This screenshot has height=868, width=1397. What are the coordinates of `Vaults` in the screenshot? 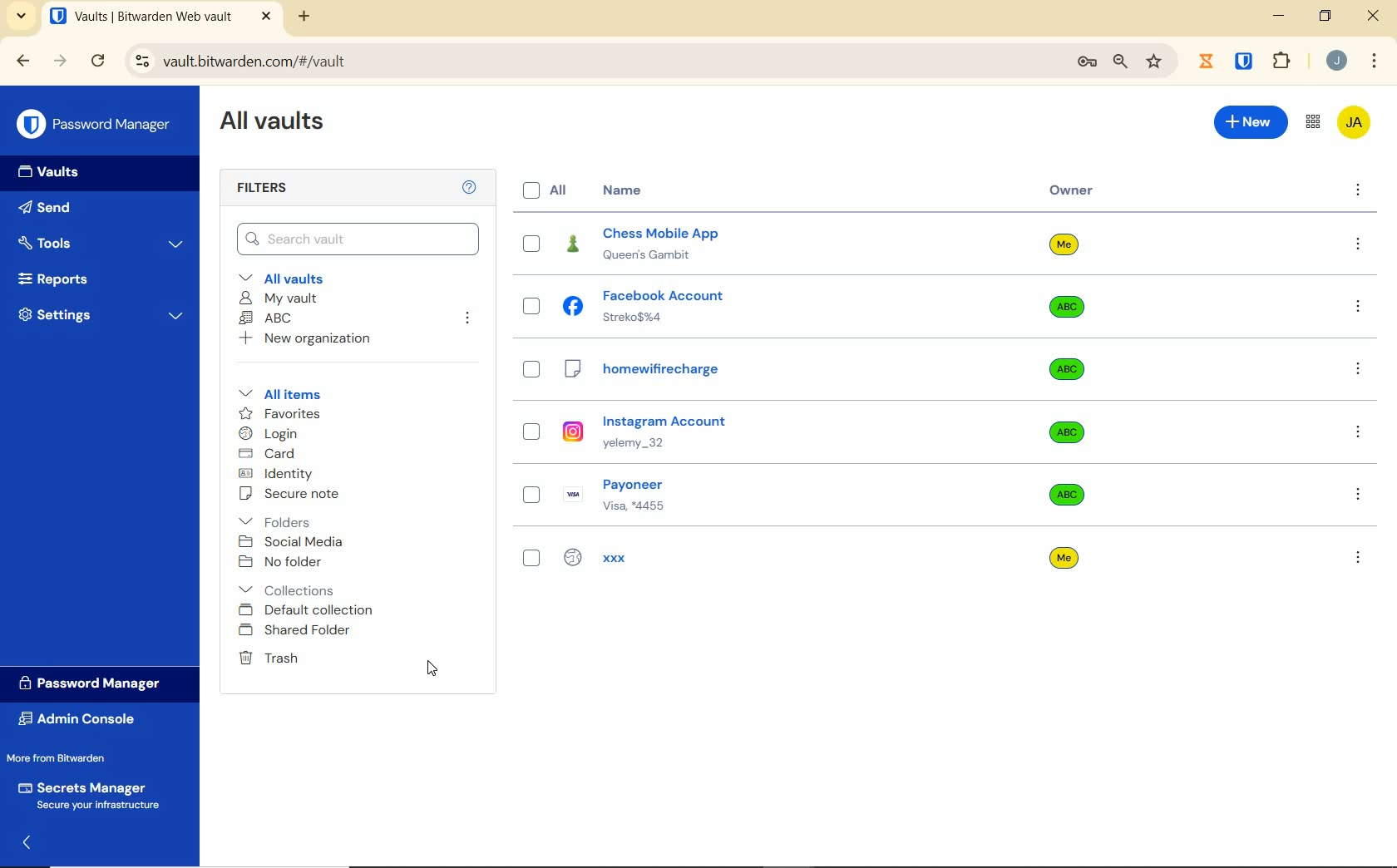 It's located at (51, 170).